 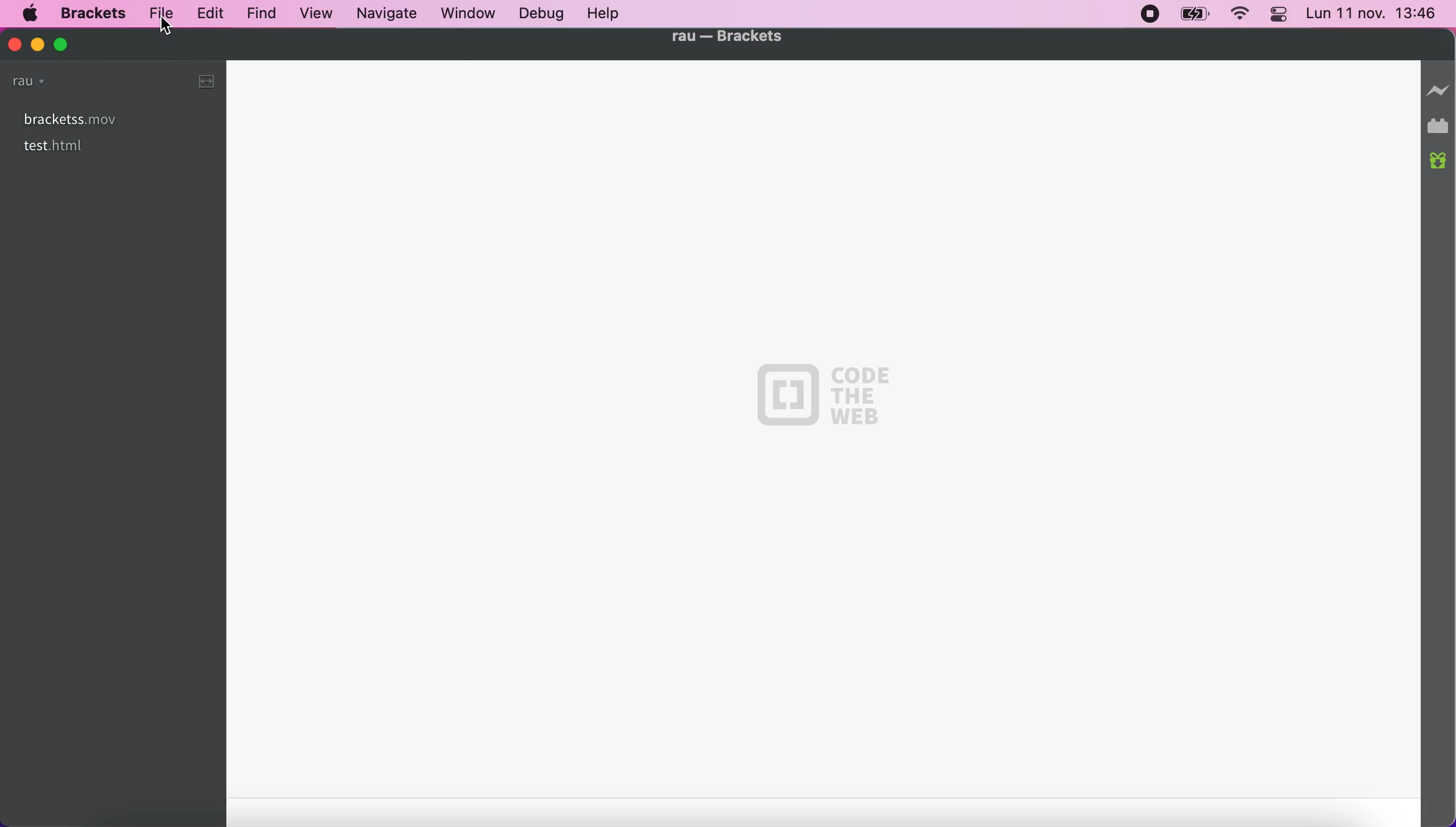 I want to click on view, so click(x=317, y=15).